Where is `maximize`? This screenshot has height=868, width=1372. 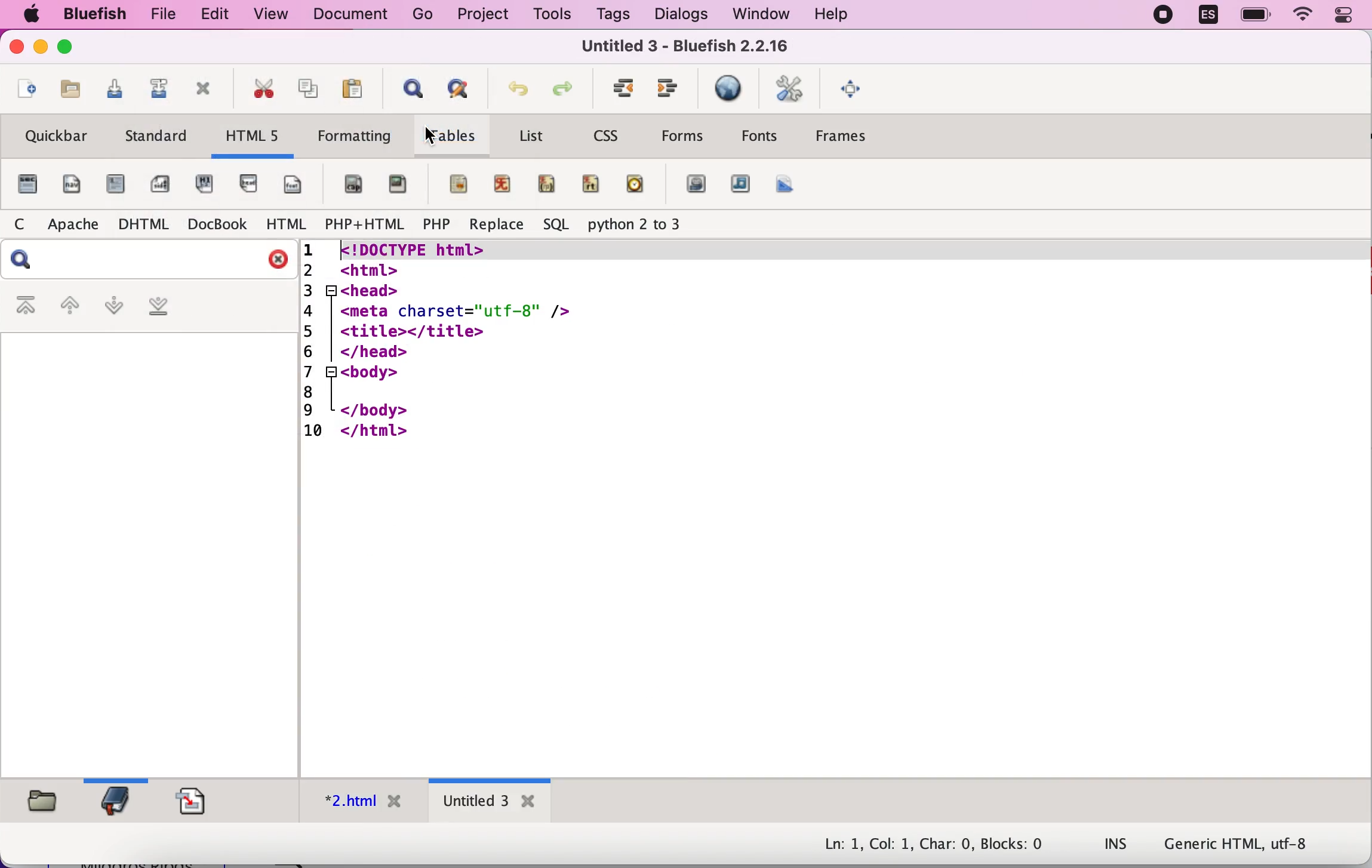
maximize is located at coordinates (70, 48).